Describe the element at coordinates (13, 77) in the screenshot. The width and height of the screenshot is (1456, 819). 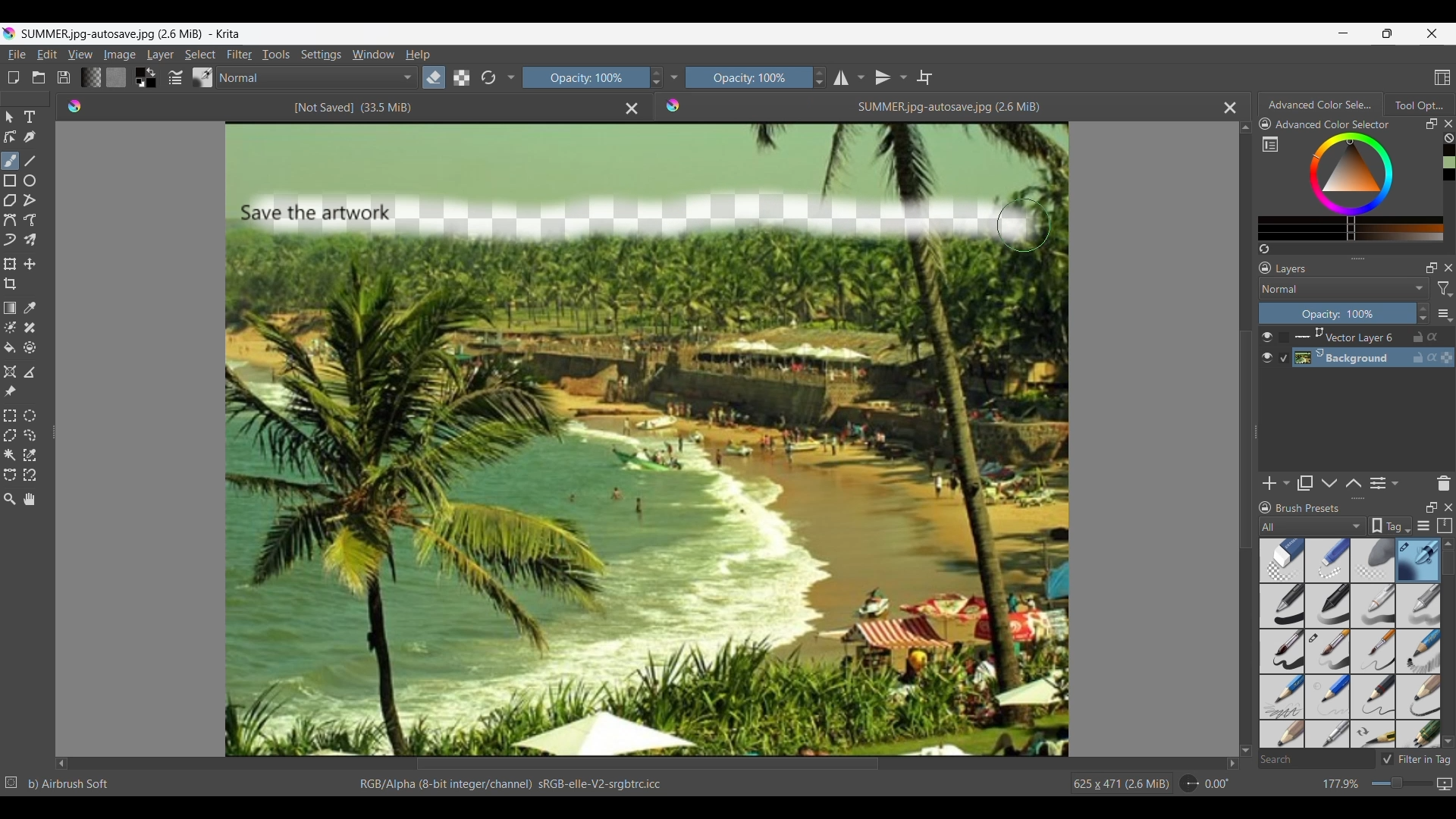
I see `Open new document` at that location.